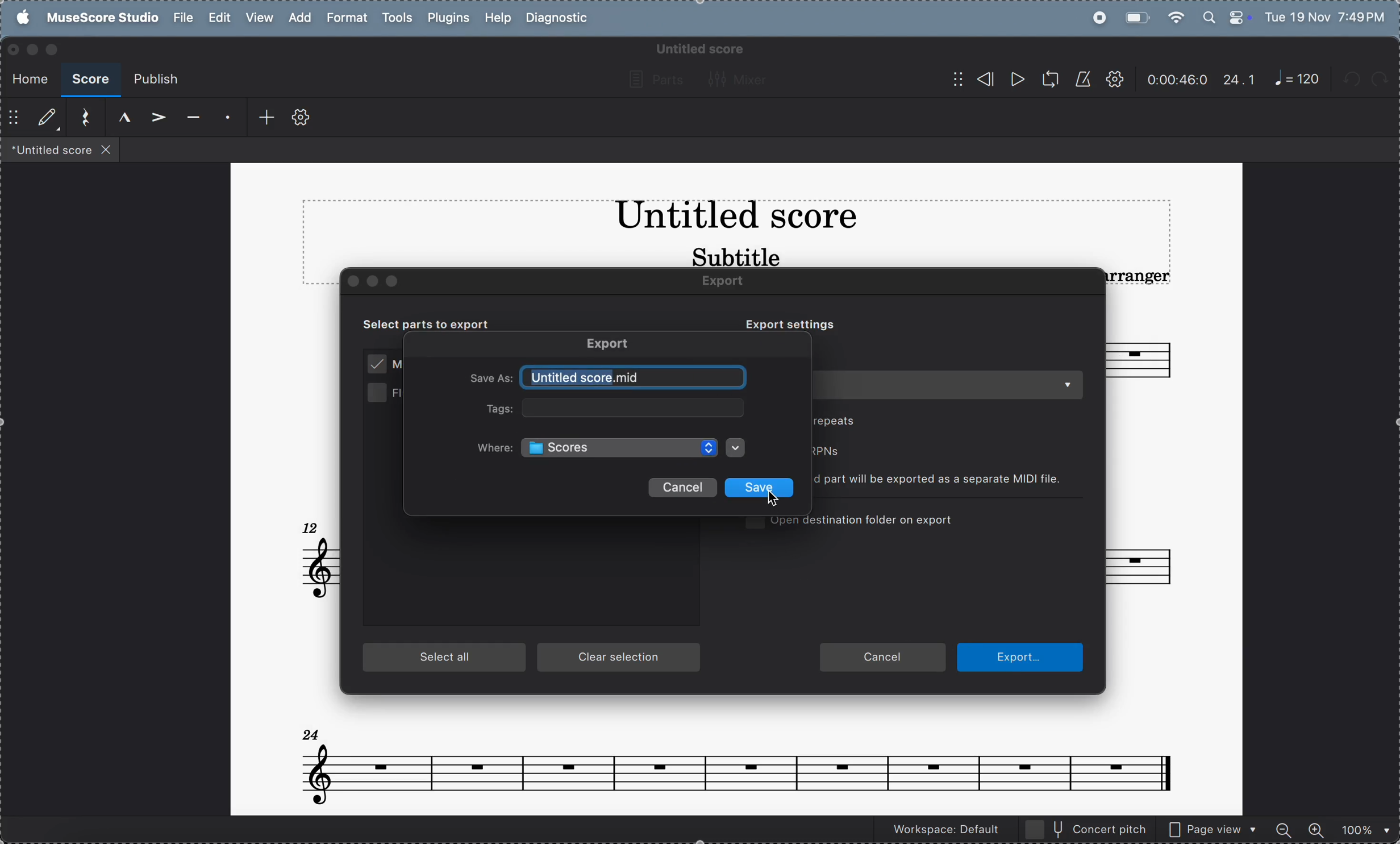 The height and width of the screenshot is (844, 1400). What do you see at coordinates (491, 380) in the screenshot?
I see `save as` at bounding box center [491, 380].